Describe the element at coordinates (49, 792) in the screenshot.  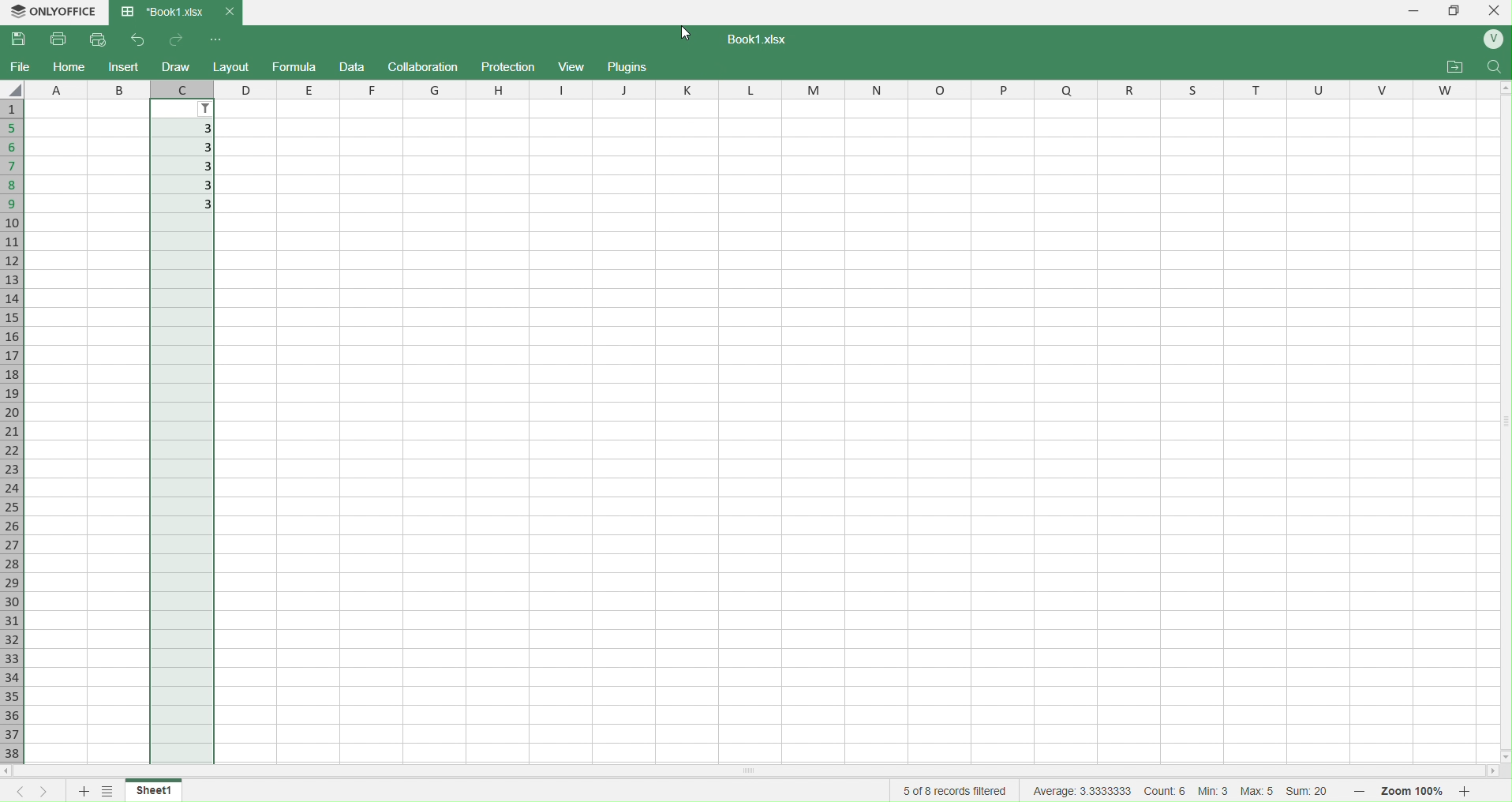
I see `next sheet` at that location.